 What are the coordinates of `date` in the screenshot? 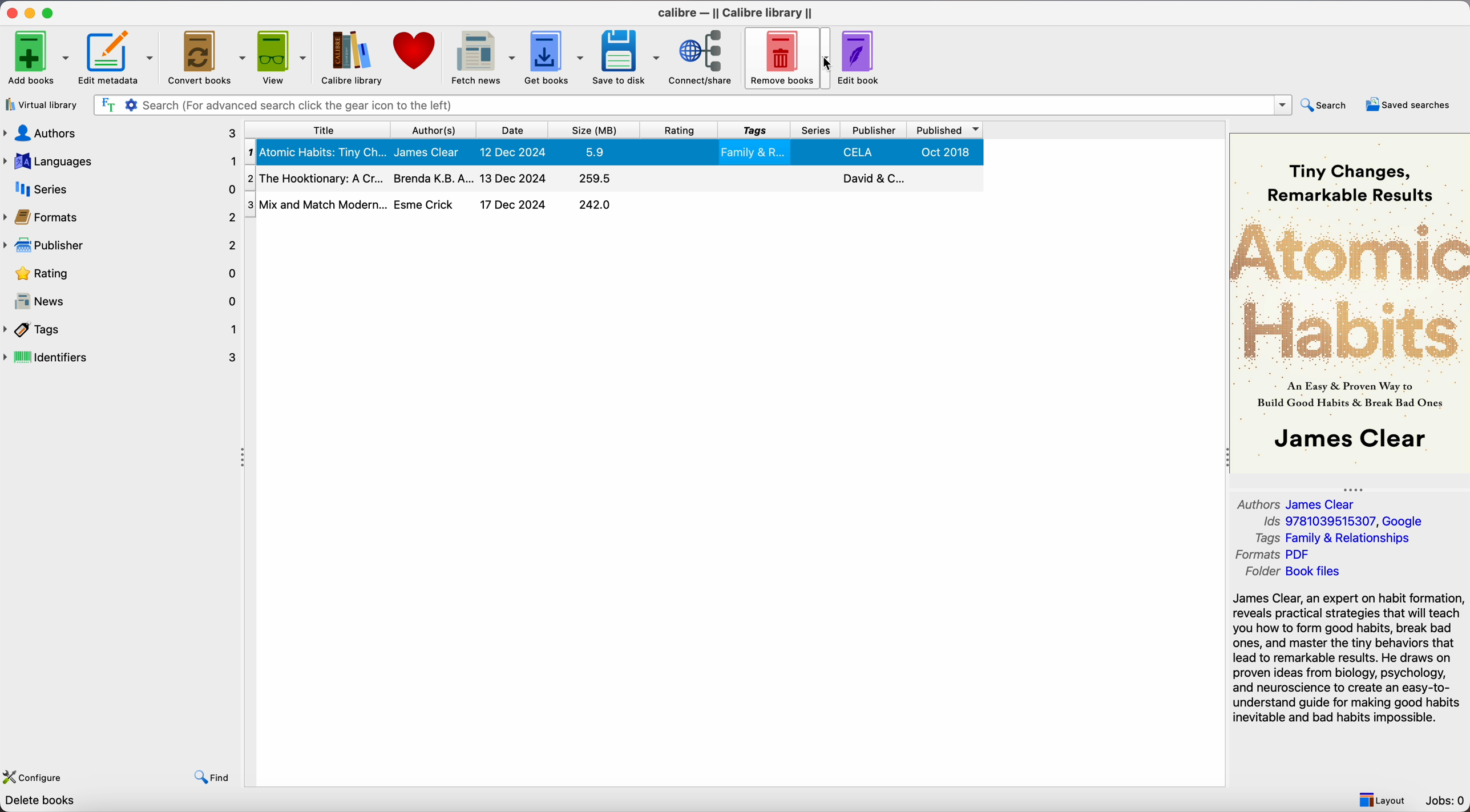 It's located at (516, 130).